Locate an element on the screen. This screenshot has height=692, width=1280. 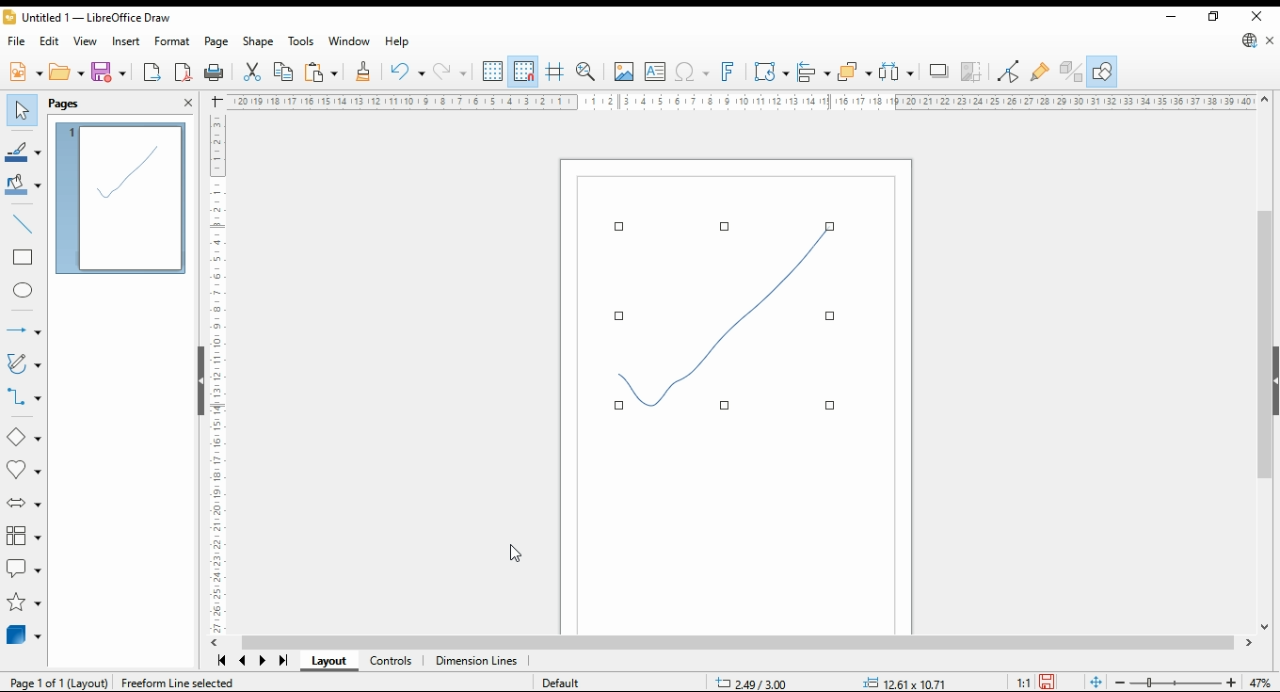
crop image is located at coordinates (972, 71).